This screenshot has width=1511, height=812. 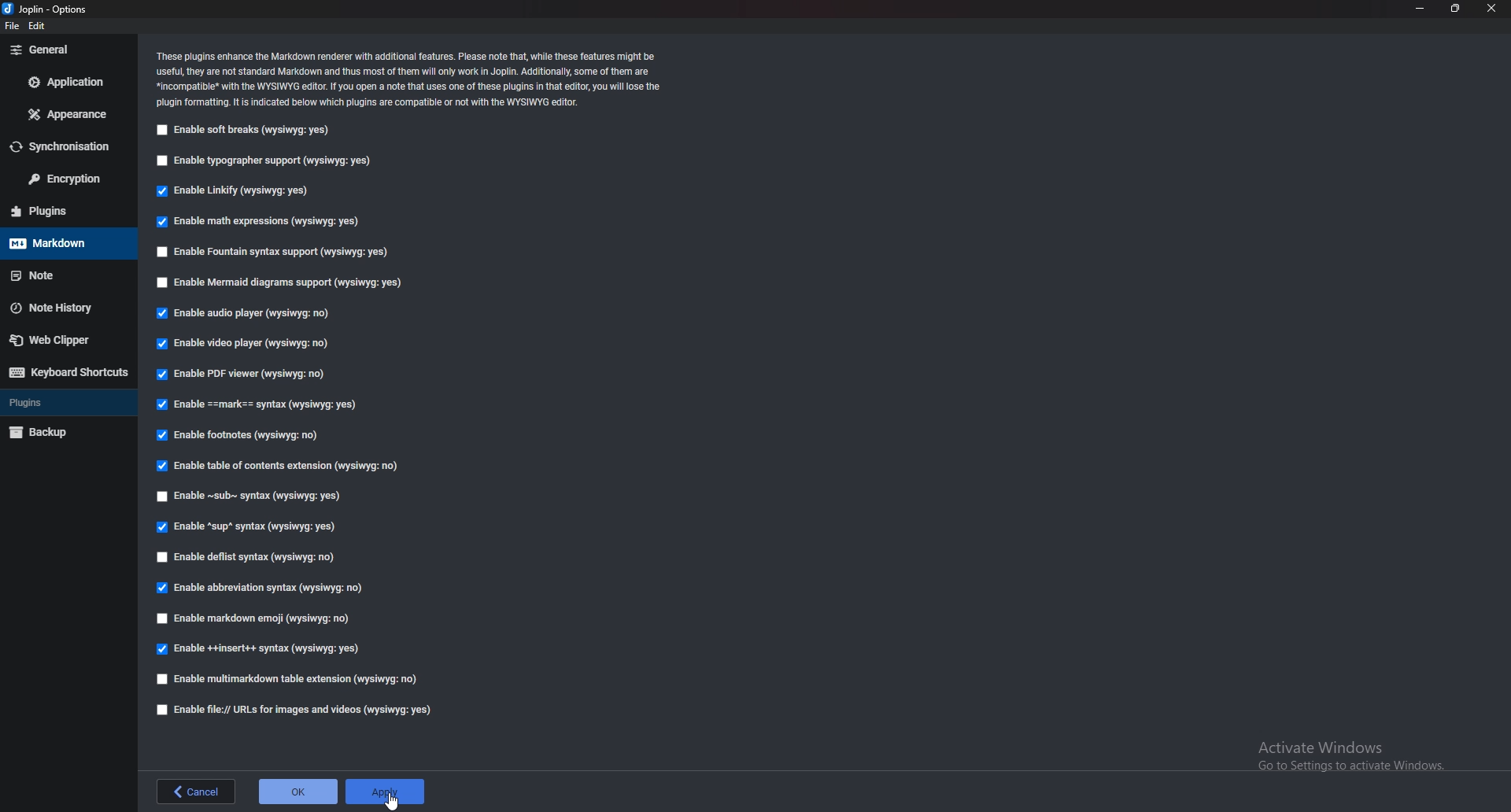 What do you see at coordinates (68, 114) in the screenshot?
I see `Appearance` at bounding box center [68, 114].